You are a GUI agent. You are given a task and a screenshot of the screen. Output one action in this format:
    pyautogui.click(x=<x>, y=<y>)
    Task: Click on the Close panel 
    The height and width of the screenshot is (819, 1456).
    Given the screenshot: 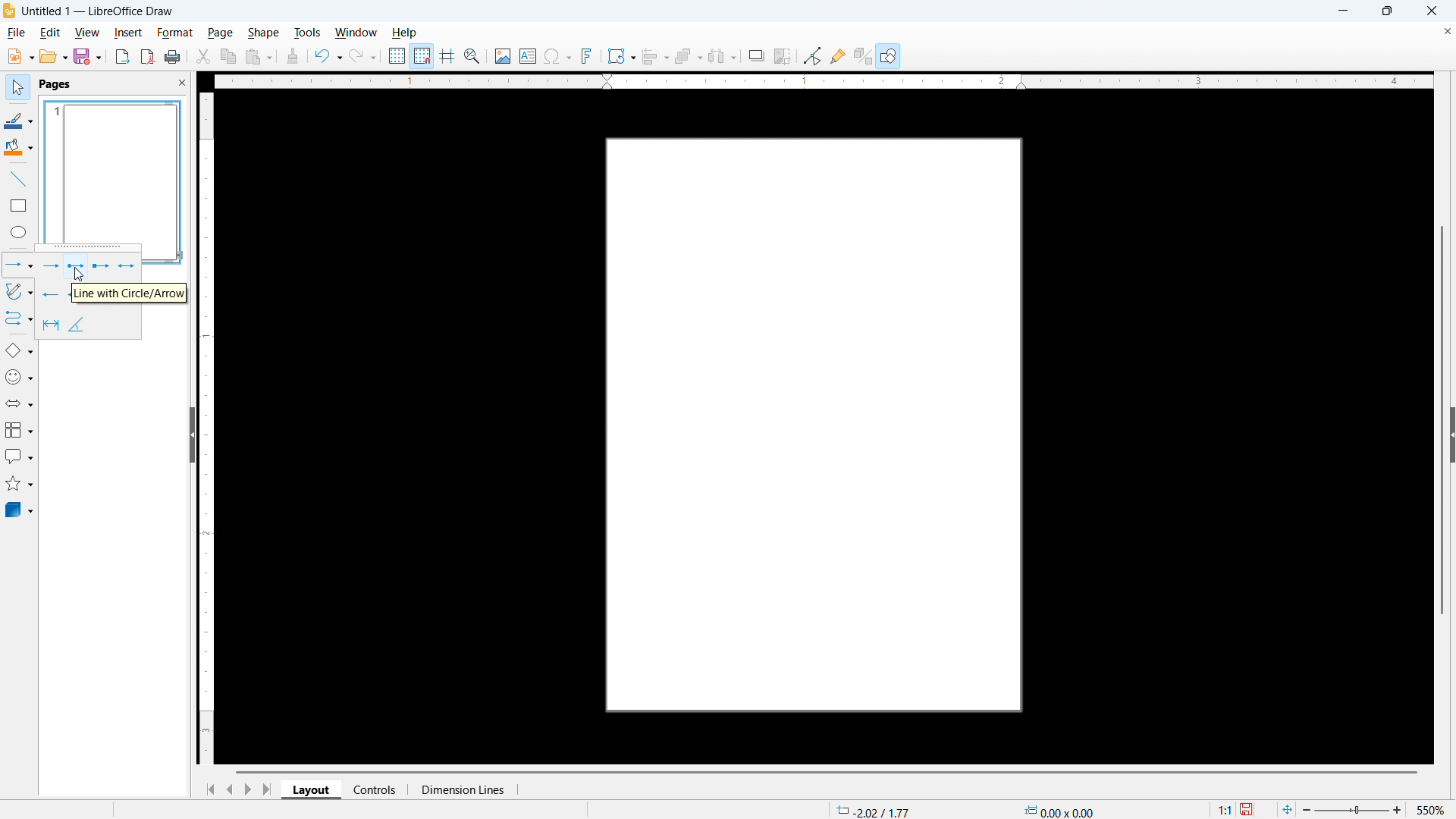 What is the action you would take?
    pyautogui.click(x=181, y=82)
    